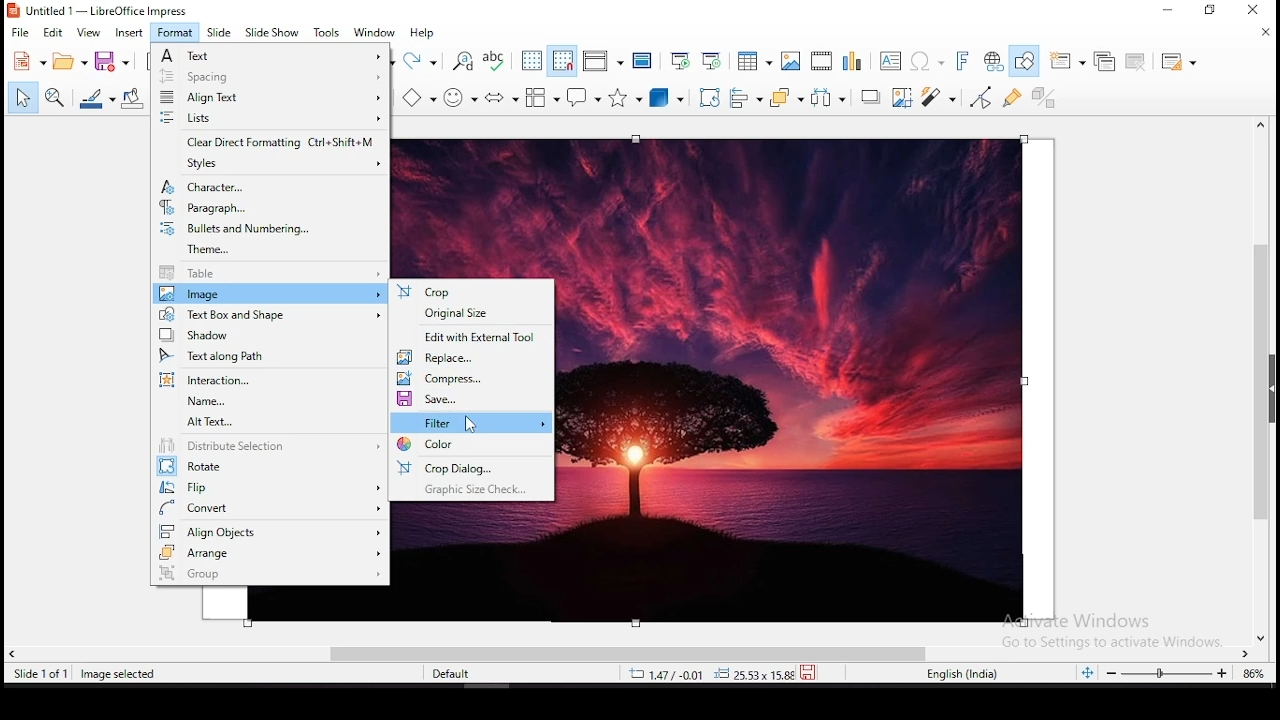  Describe the element at coordinates (604, 62) in the screenshot. I see `display views` at that location.